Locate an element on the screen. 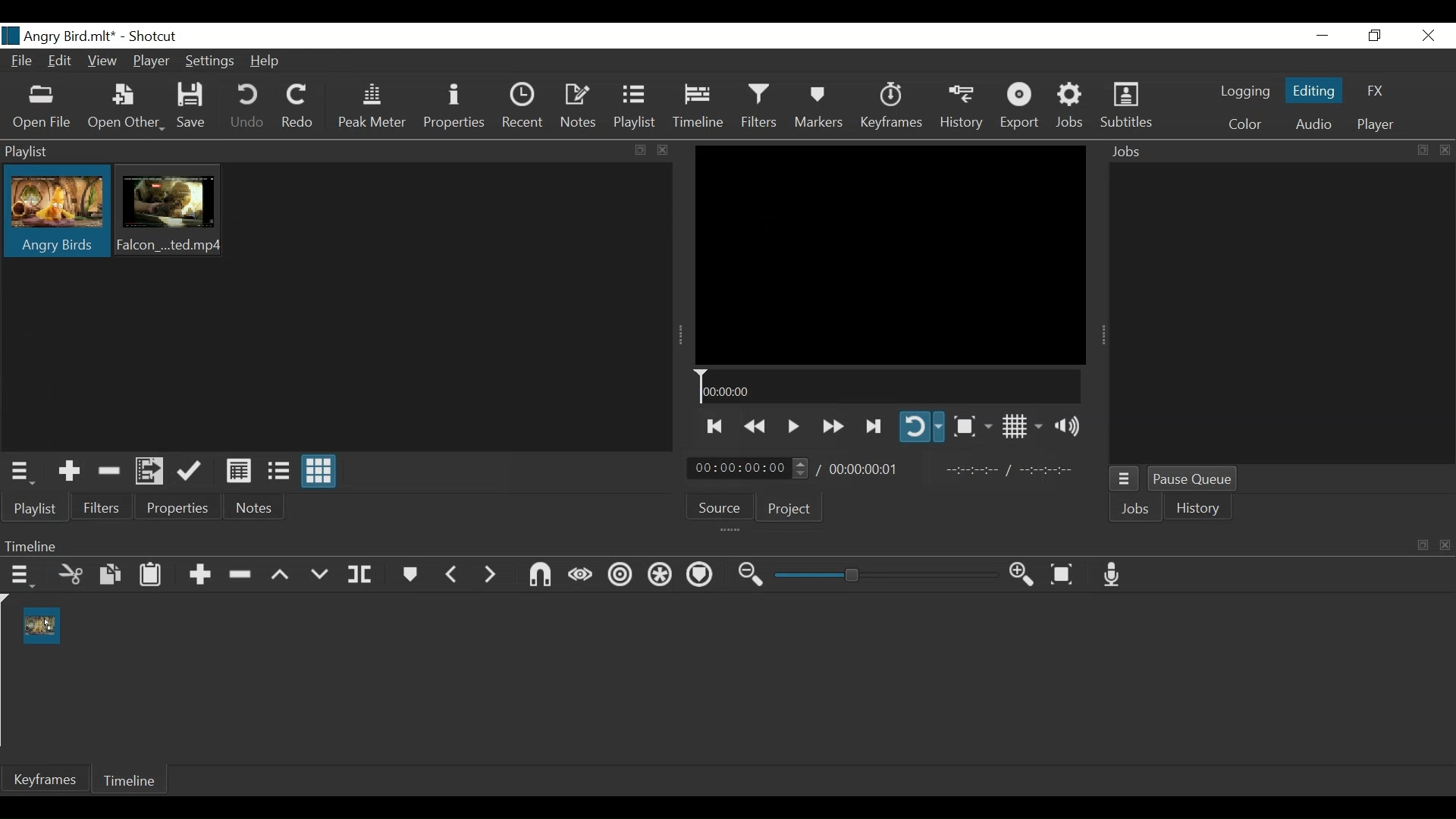 This screenshot has height=819, width=1456. Playlist Menu is located at coordinates (26, 472).